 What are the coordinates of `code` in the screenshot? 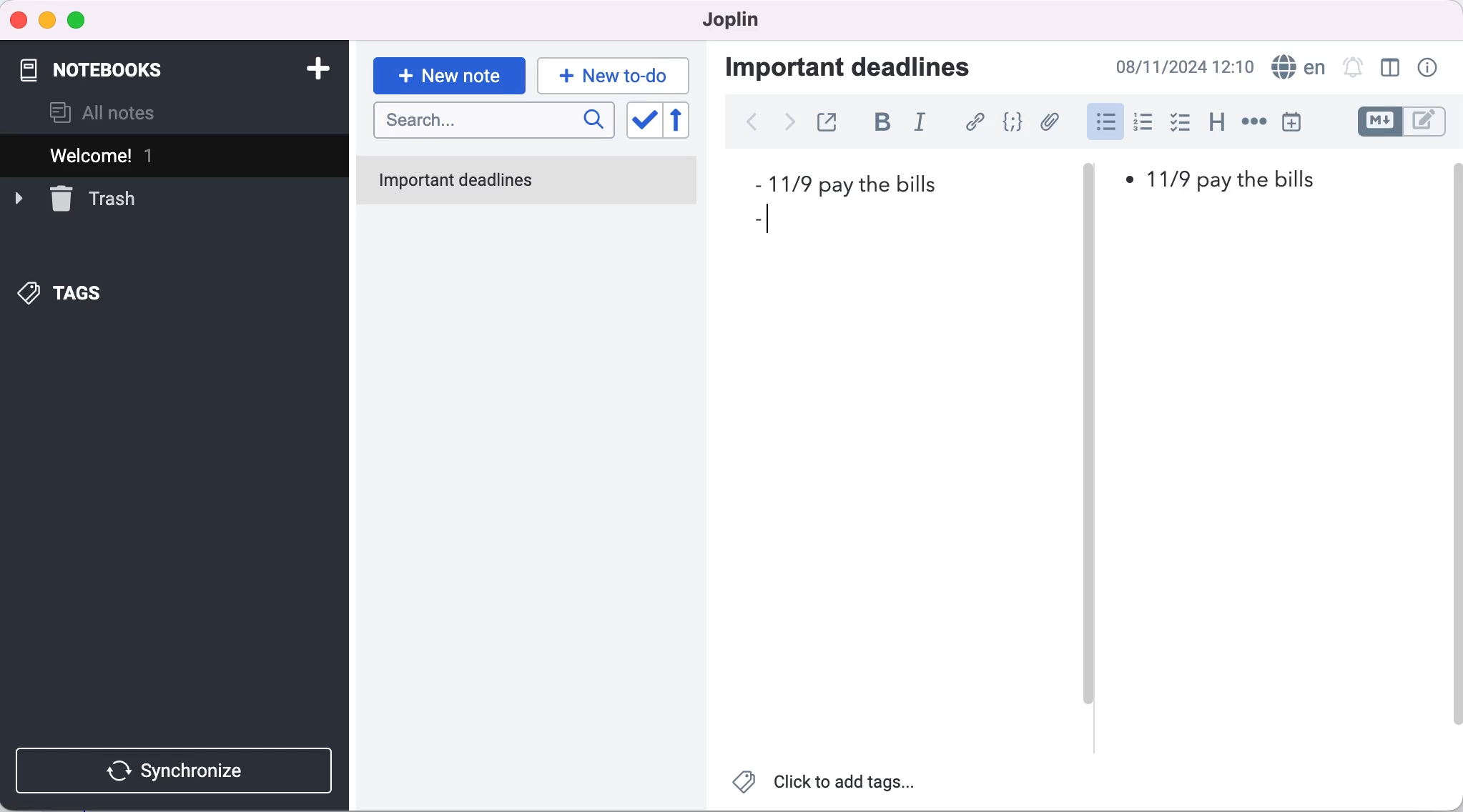 It's located at (1013, 123).